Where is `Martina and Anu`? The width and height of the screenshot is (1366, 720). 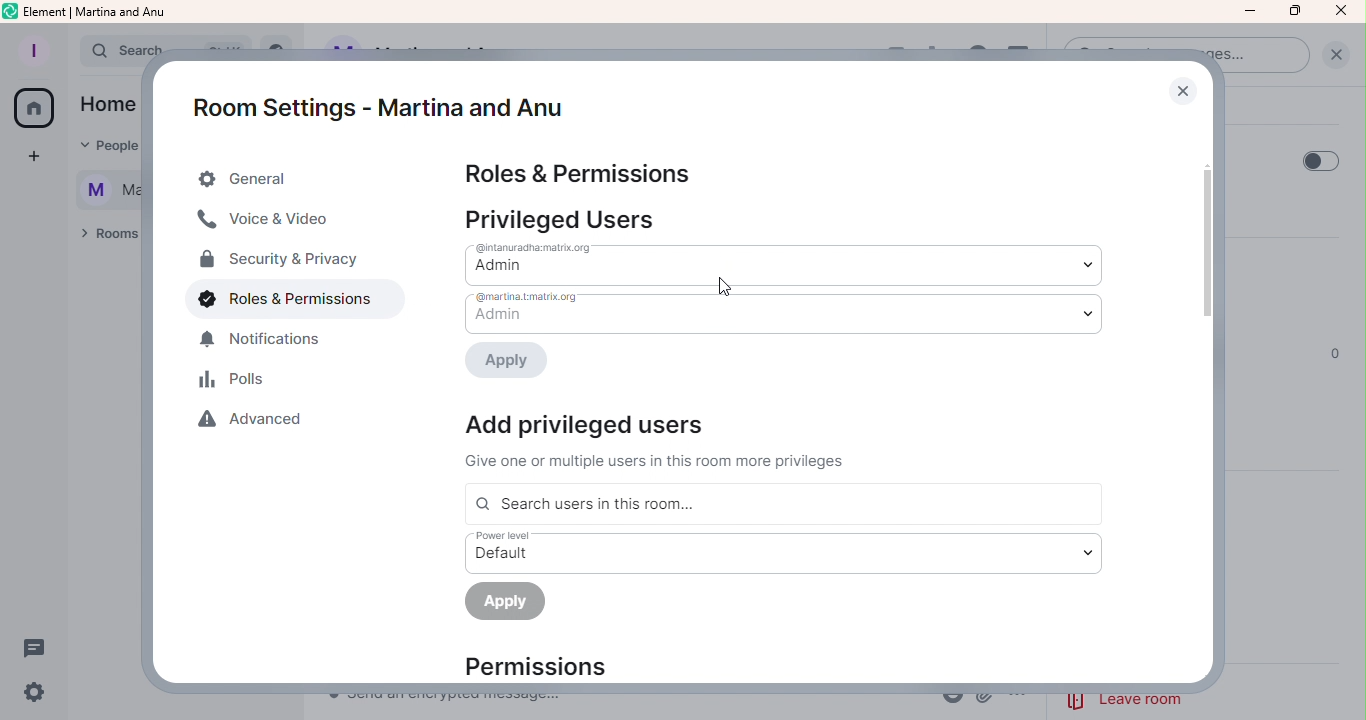 Martina and Anu is located at coordinates (99, 192).